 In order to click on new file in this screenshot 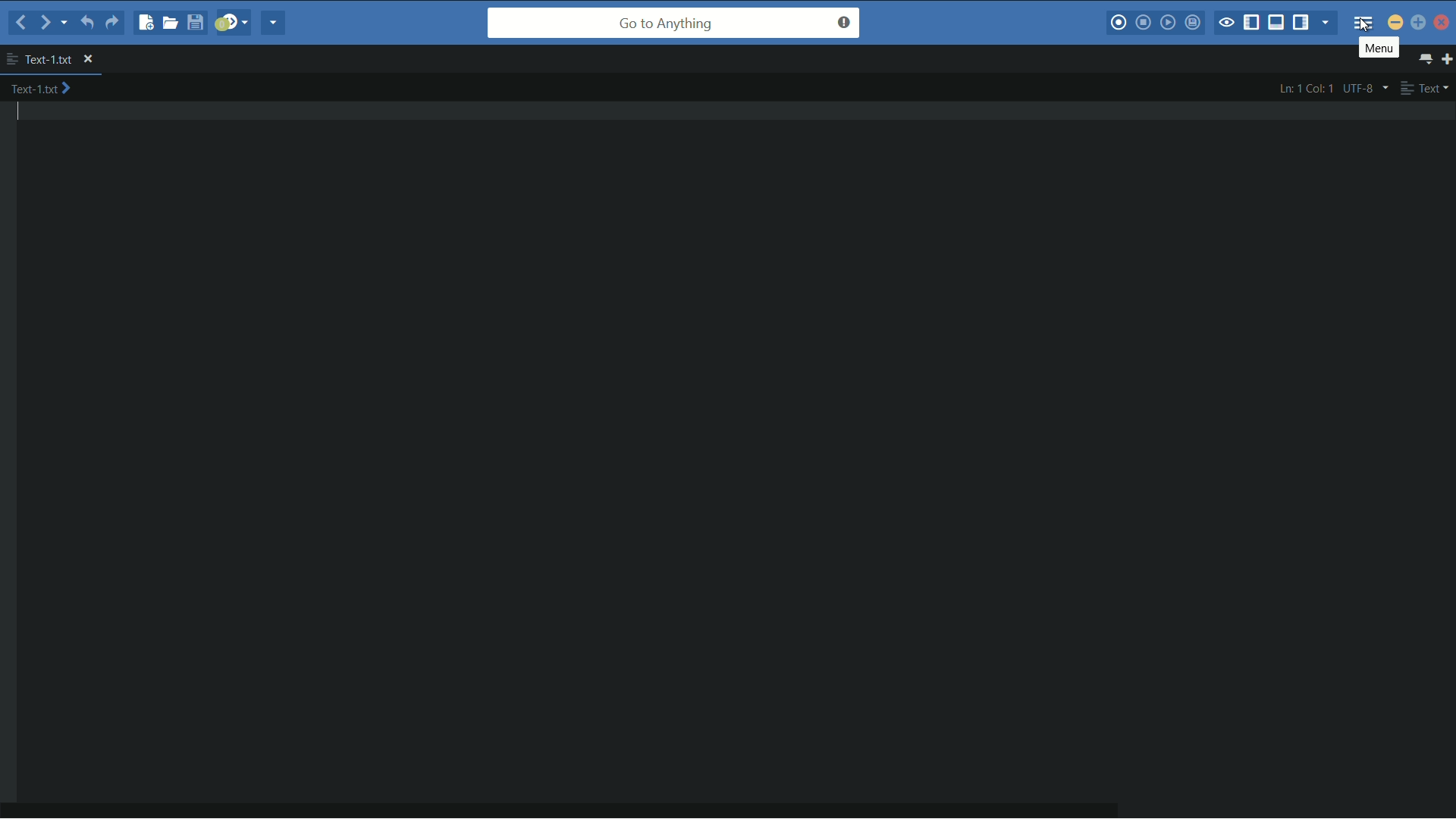, I will do `click(143, 24)`.